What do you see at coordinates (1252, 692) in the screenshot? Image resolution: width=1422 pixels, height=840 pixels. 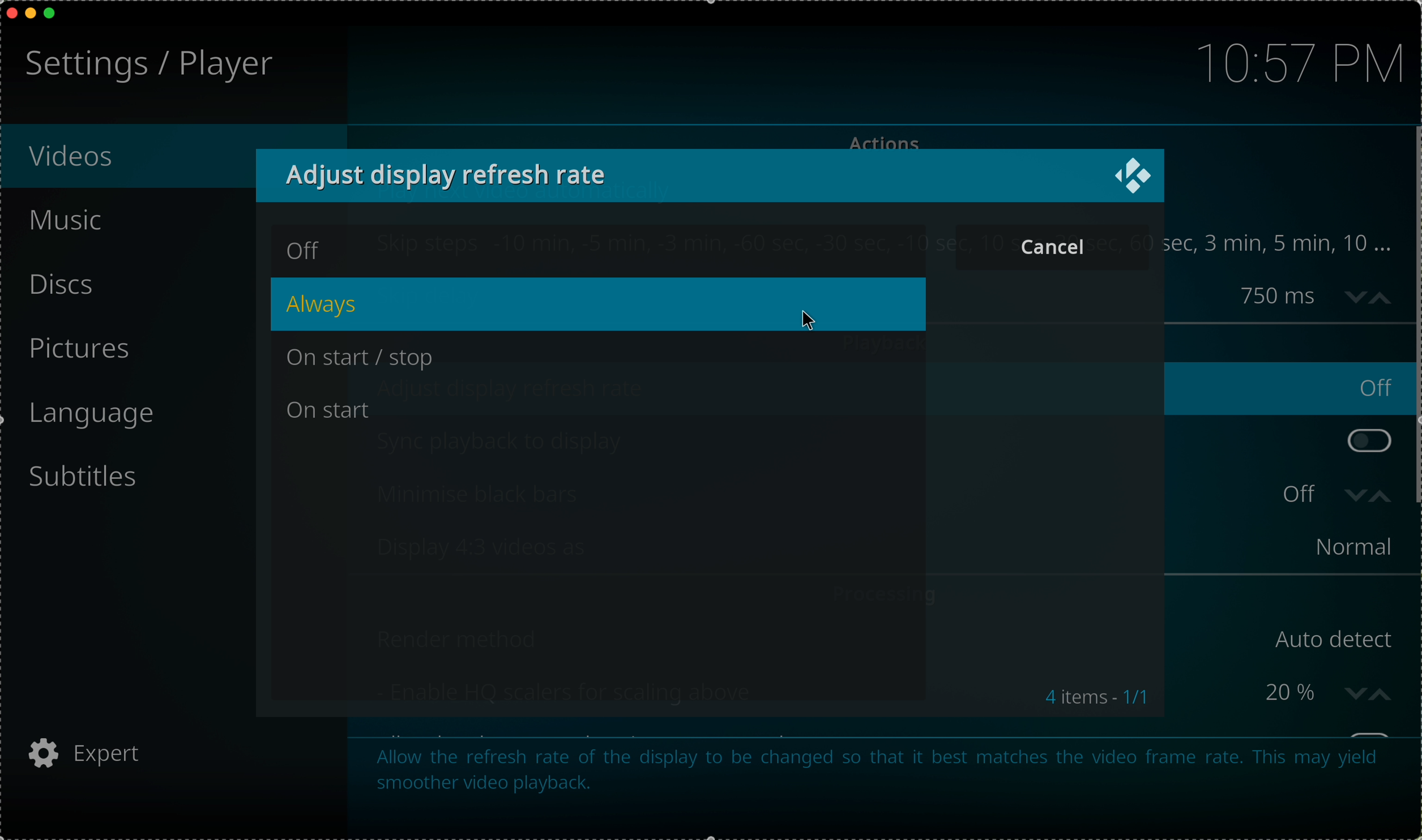 I see `20%` at bounding box center [1252, 692].